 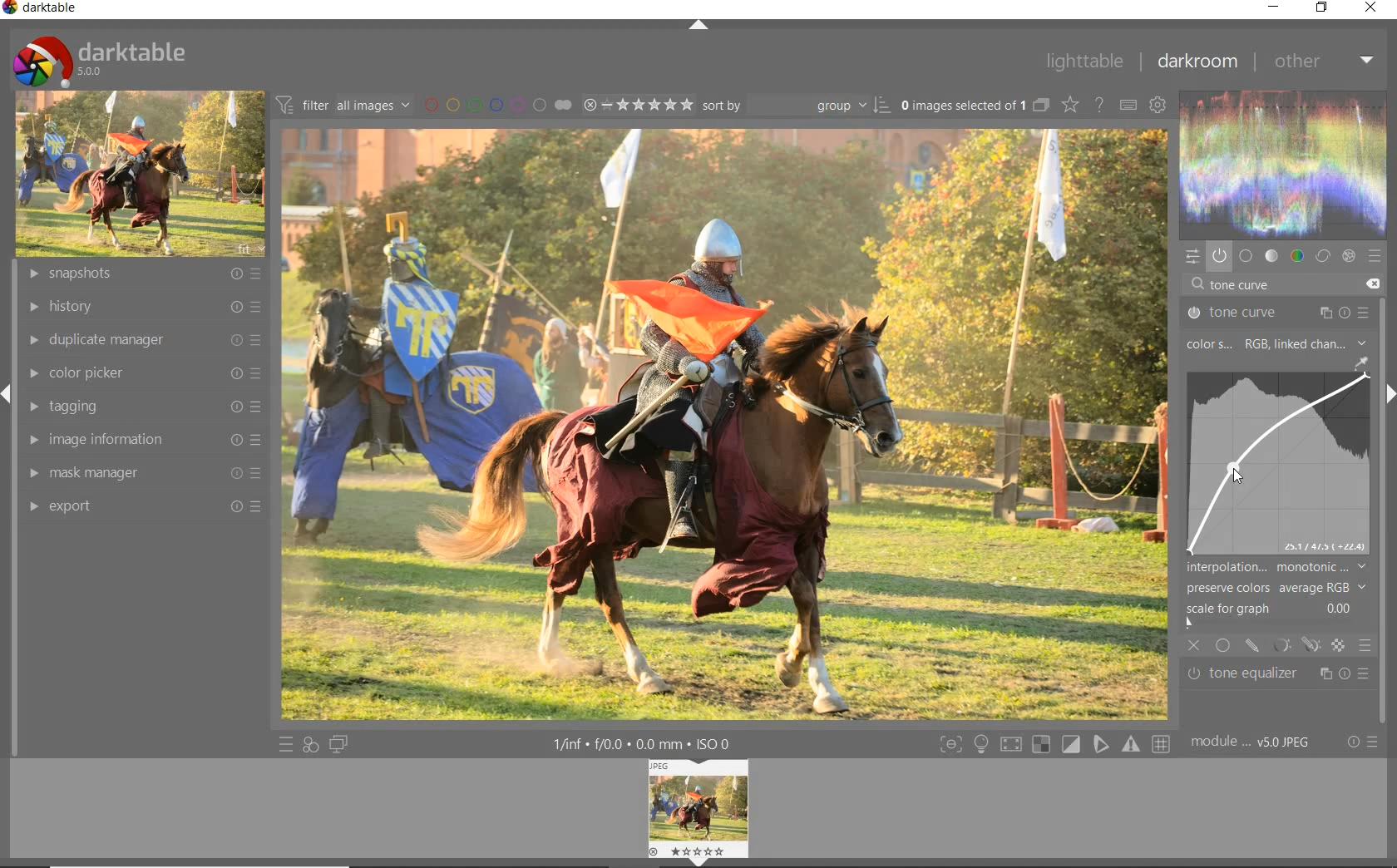 I want to click on image information, so click(x=141, y=440).